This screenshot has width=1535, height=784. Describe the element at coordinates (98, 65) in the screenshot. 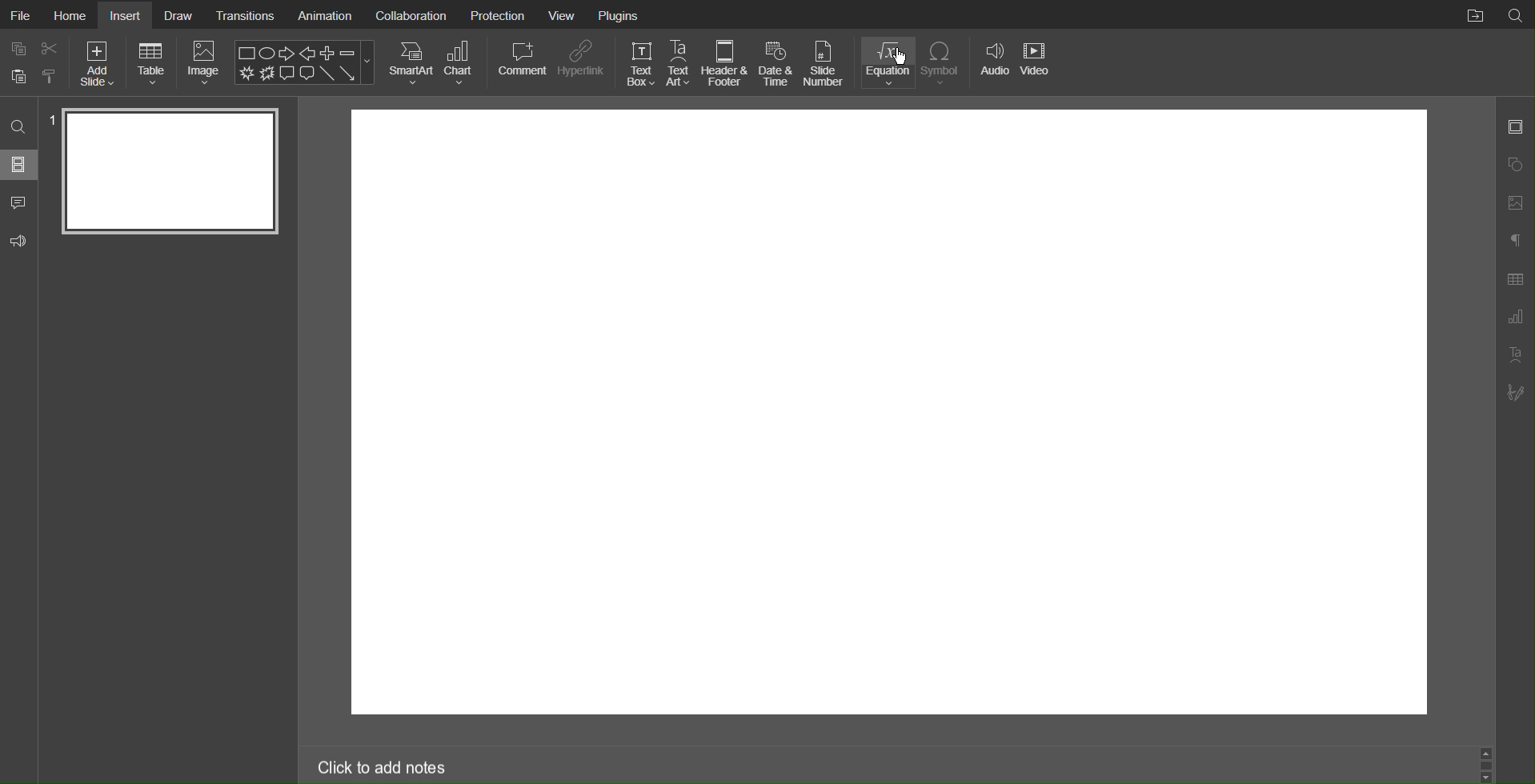

I see `Add Slide` at that location.